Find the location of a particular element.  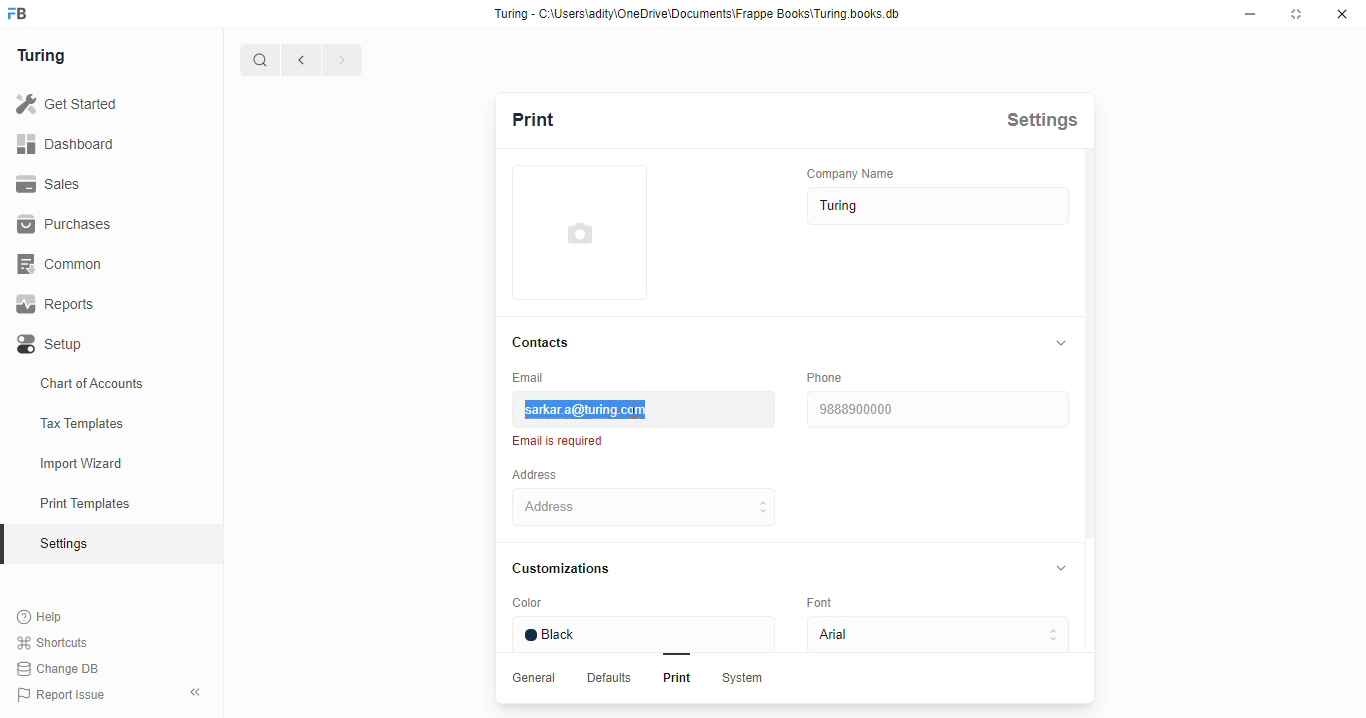

Address H is located at coordinates (672, 506).